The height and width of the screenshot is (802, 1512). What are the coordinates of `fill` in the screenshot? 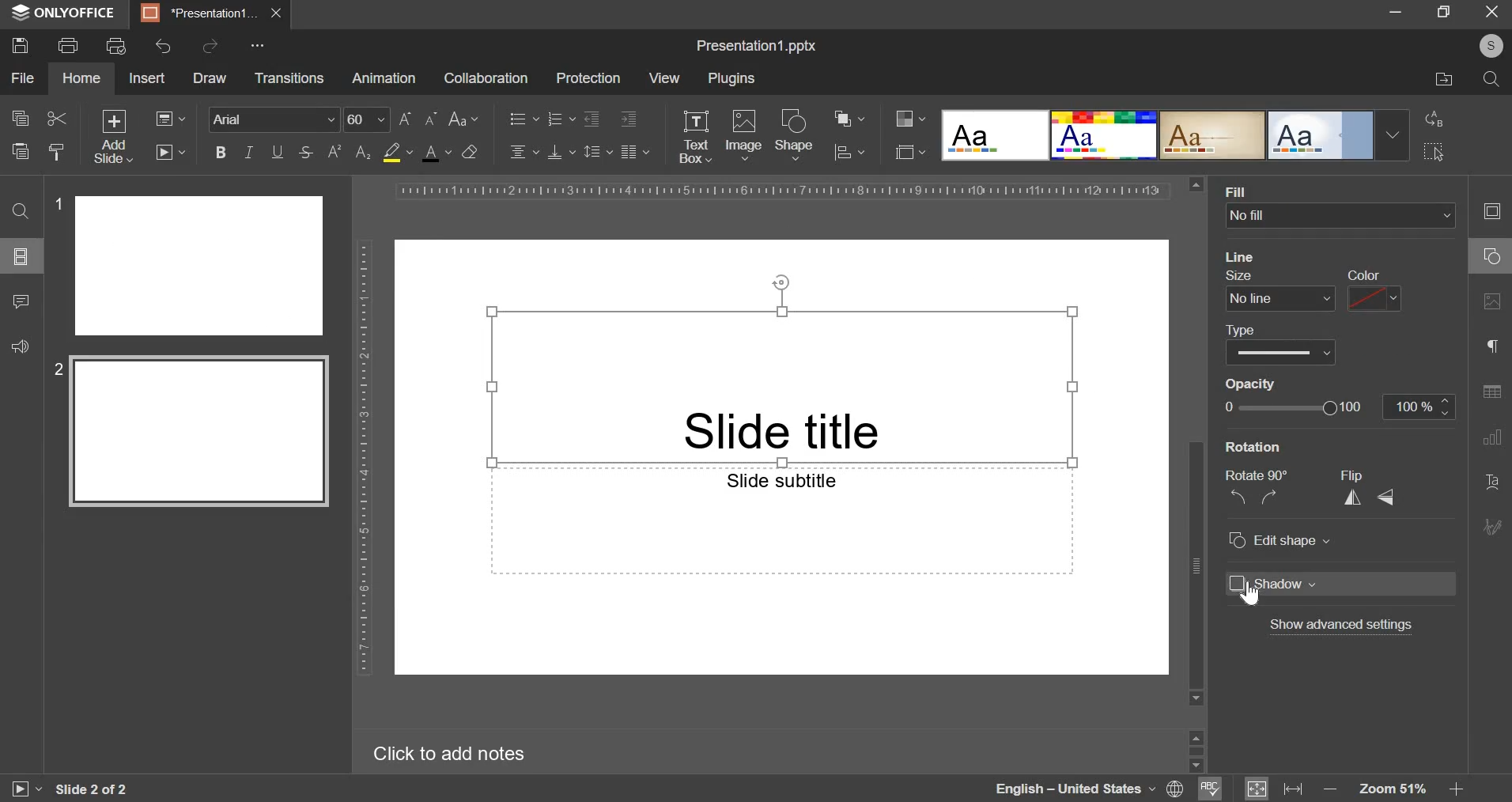 It's located at (1265, 190).